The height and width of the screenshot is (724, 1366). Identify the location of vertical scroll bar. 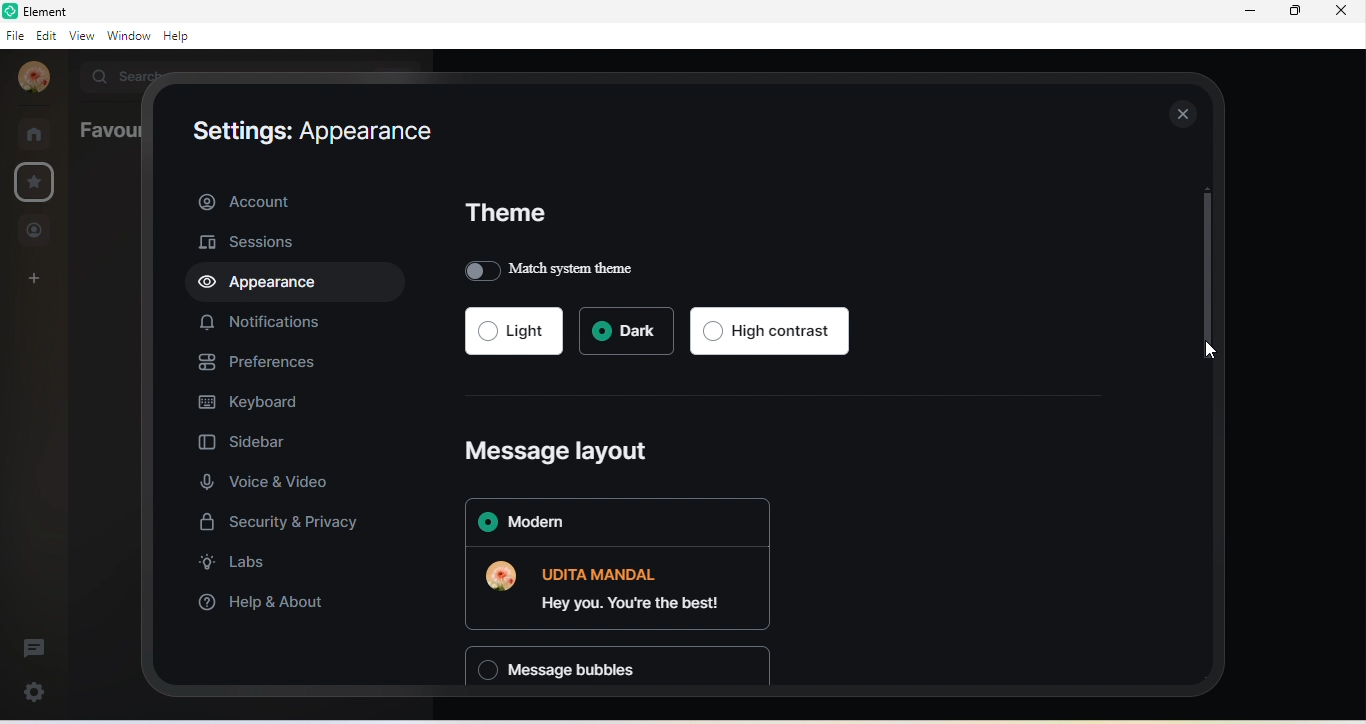
(1204, 273).